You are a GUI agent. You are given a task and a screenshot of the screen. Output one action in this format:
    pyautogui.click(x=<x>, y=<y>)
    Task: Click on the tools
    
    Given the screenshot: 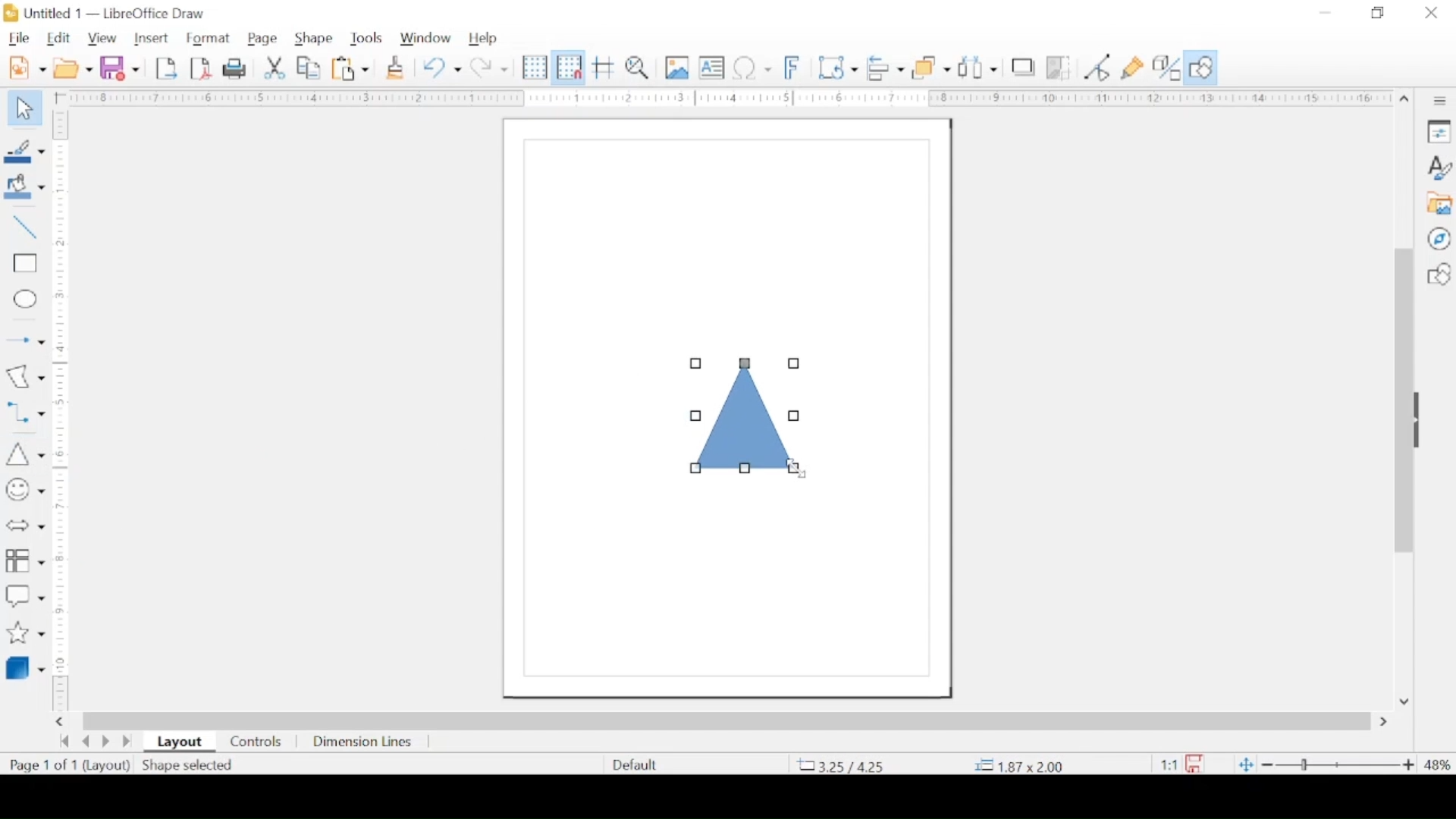 What is the action you would take?
    pyautogui.click(x=366, y=38)
    